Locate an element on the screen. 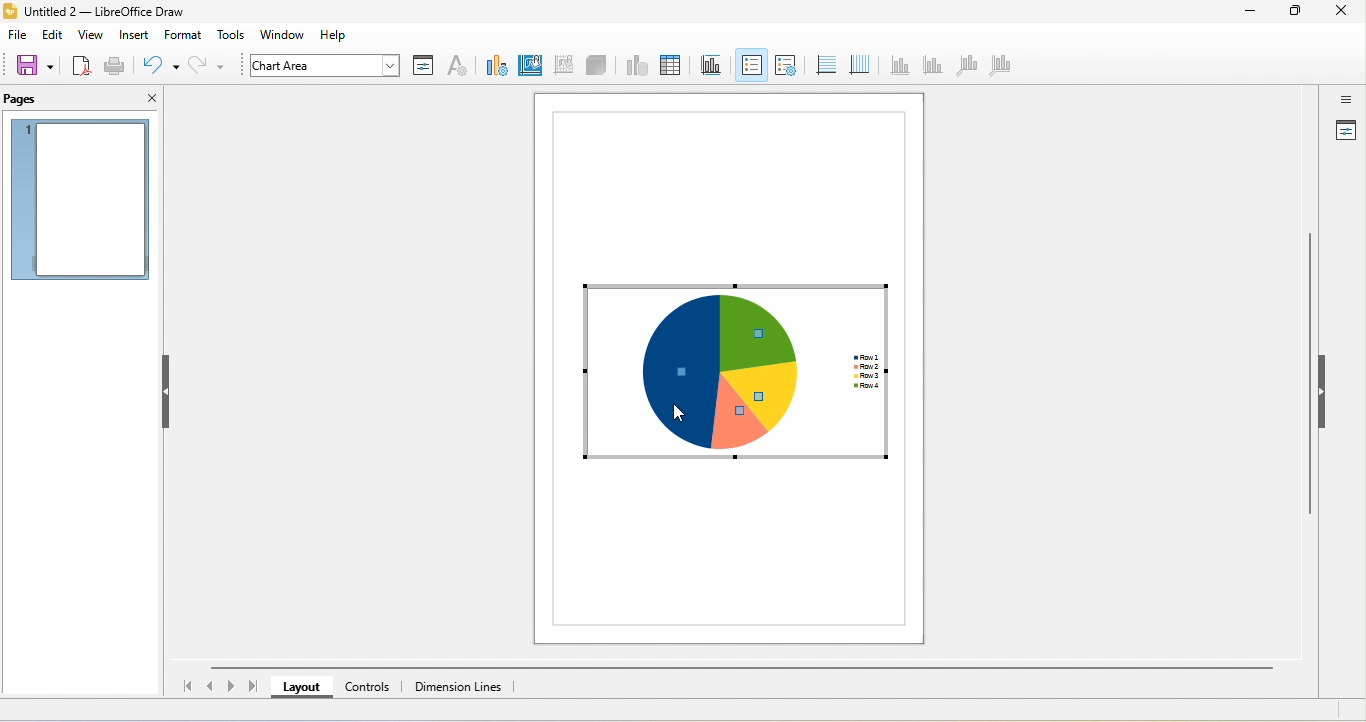 This screenshot has width=1366, height=722. format background is located at coordinates (529, 65).